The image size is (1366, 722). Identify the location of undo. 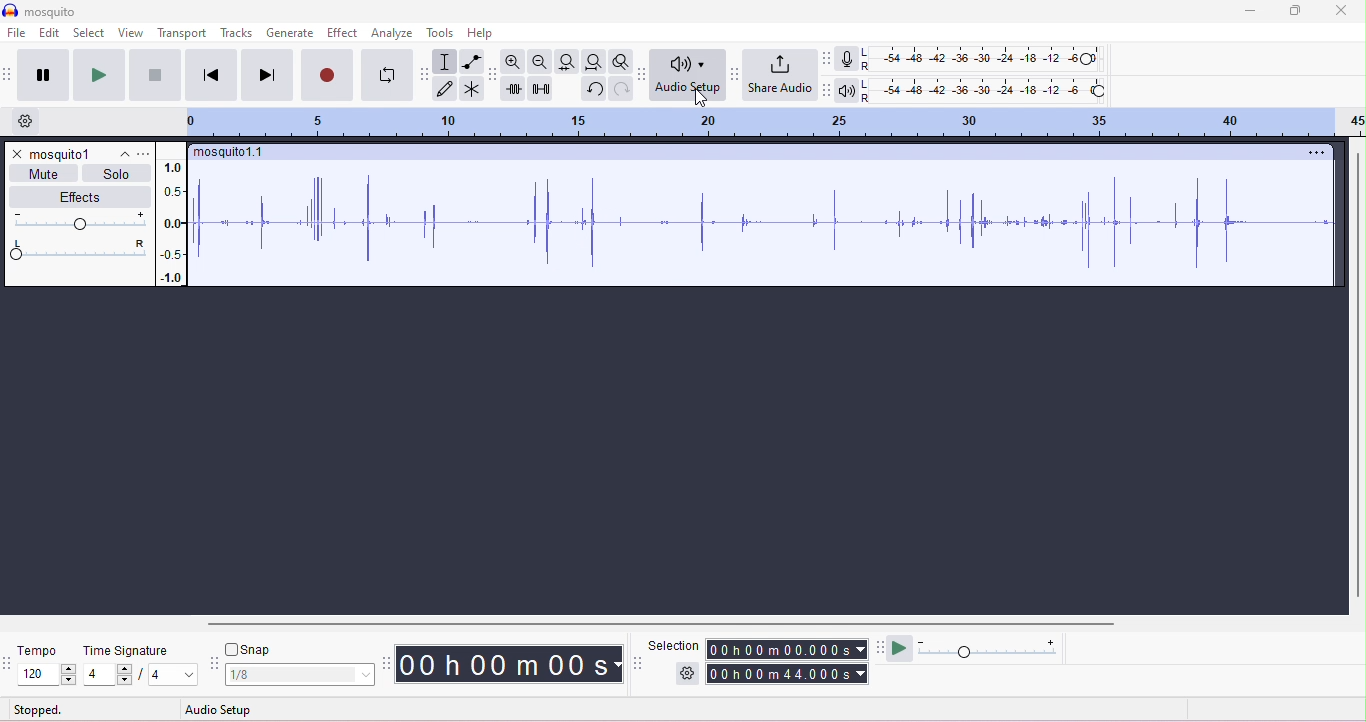
(593, 89).